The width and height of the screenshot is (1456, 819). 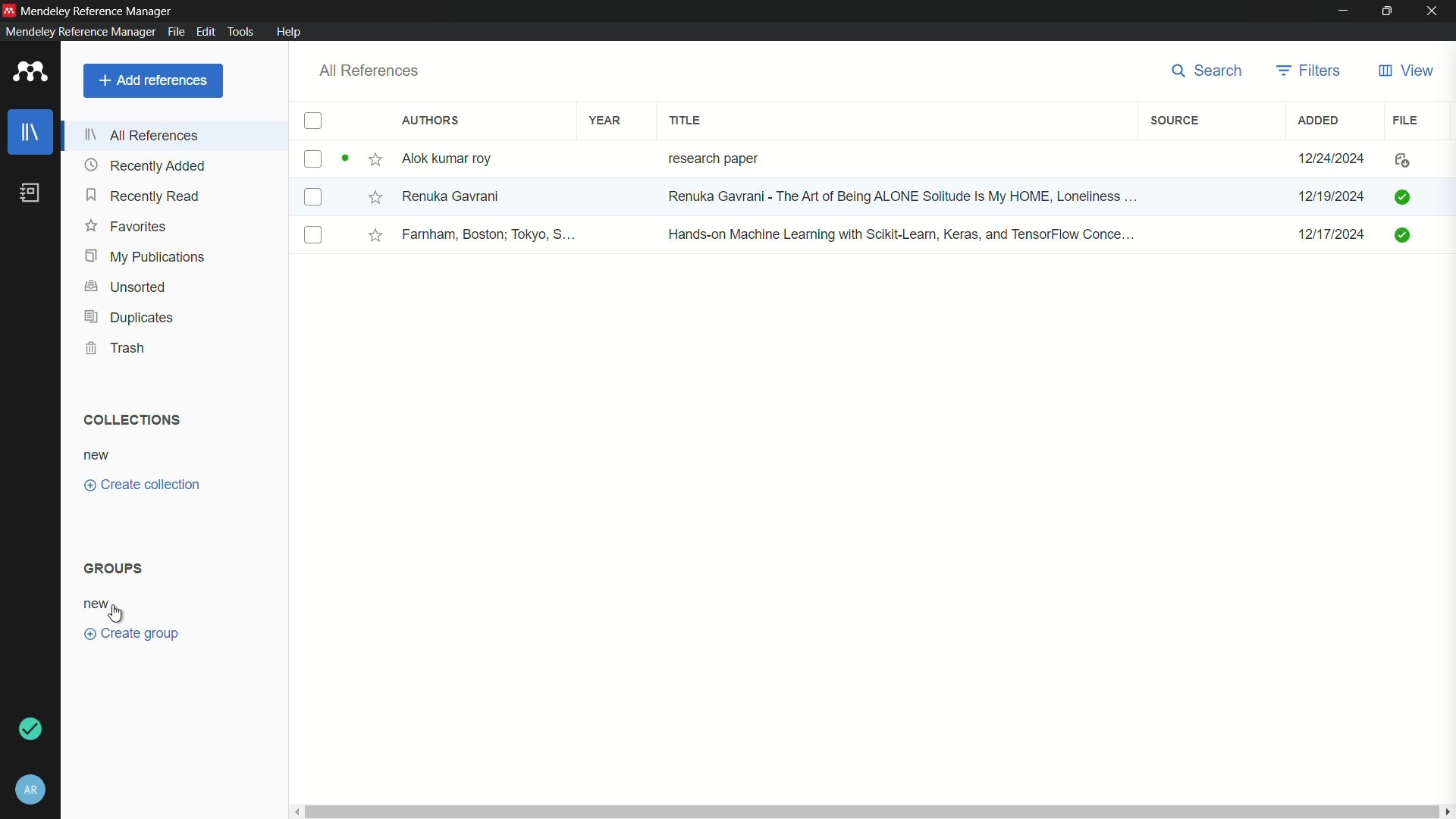 What do you see at coordinates (1388, 11) in the screenshot?
I see `maximize` at bounding box center [1388, 11].